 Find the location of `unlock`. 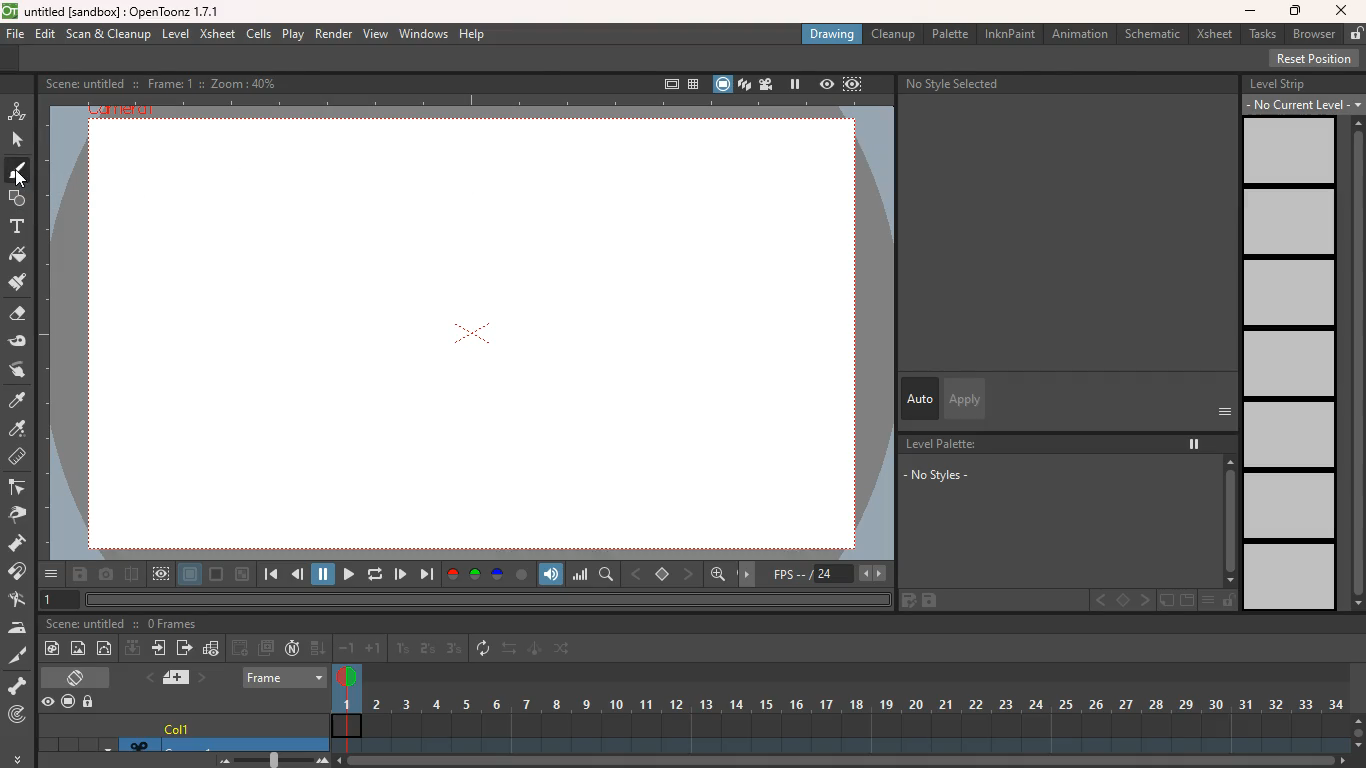

unlock is located at coordinates (1229, 602).